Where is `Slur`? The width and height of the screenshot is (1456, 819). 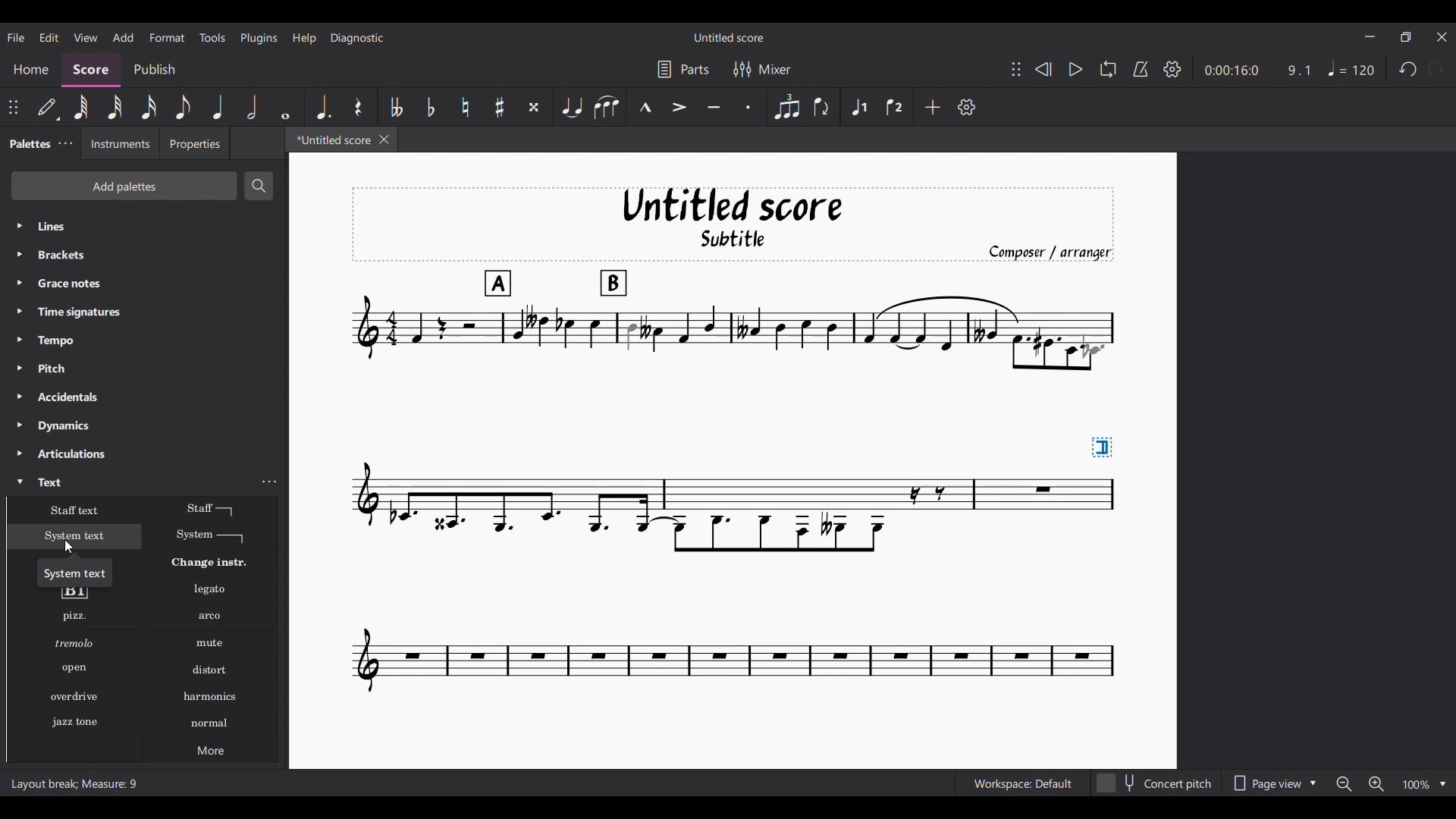 Slur is located at coordinates (607, 107).